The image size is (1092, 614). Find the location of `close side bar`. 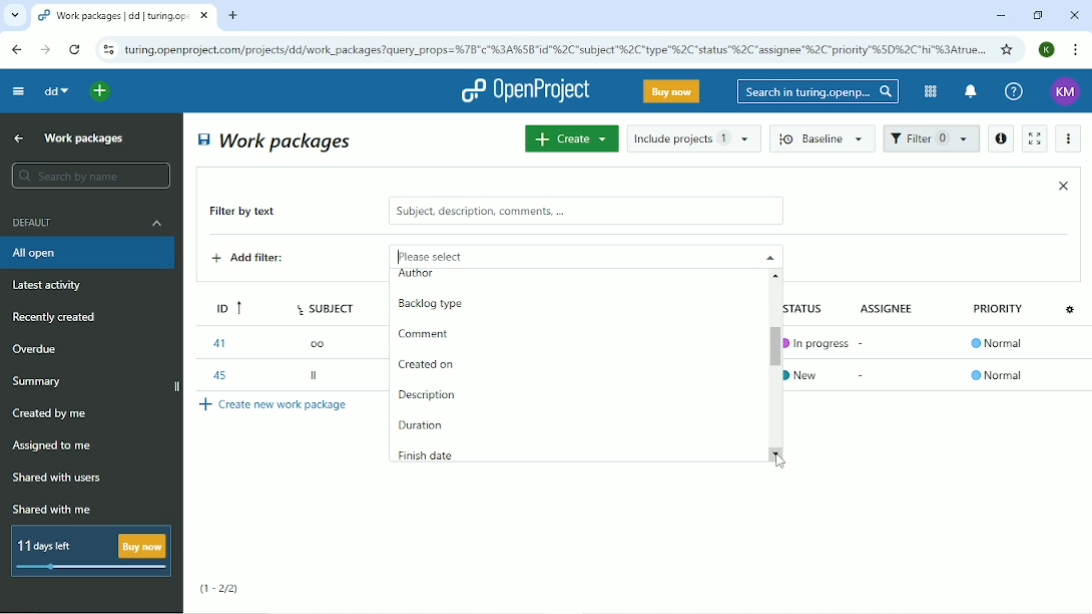

close side bar is located at coordinates (175, 388).